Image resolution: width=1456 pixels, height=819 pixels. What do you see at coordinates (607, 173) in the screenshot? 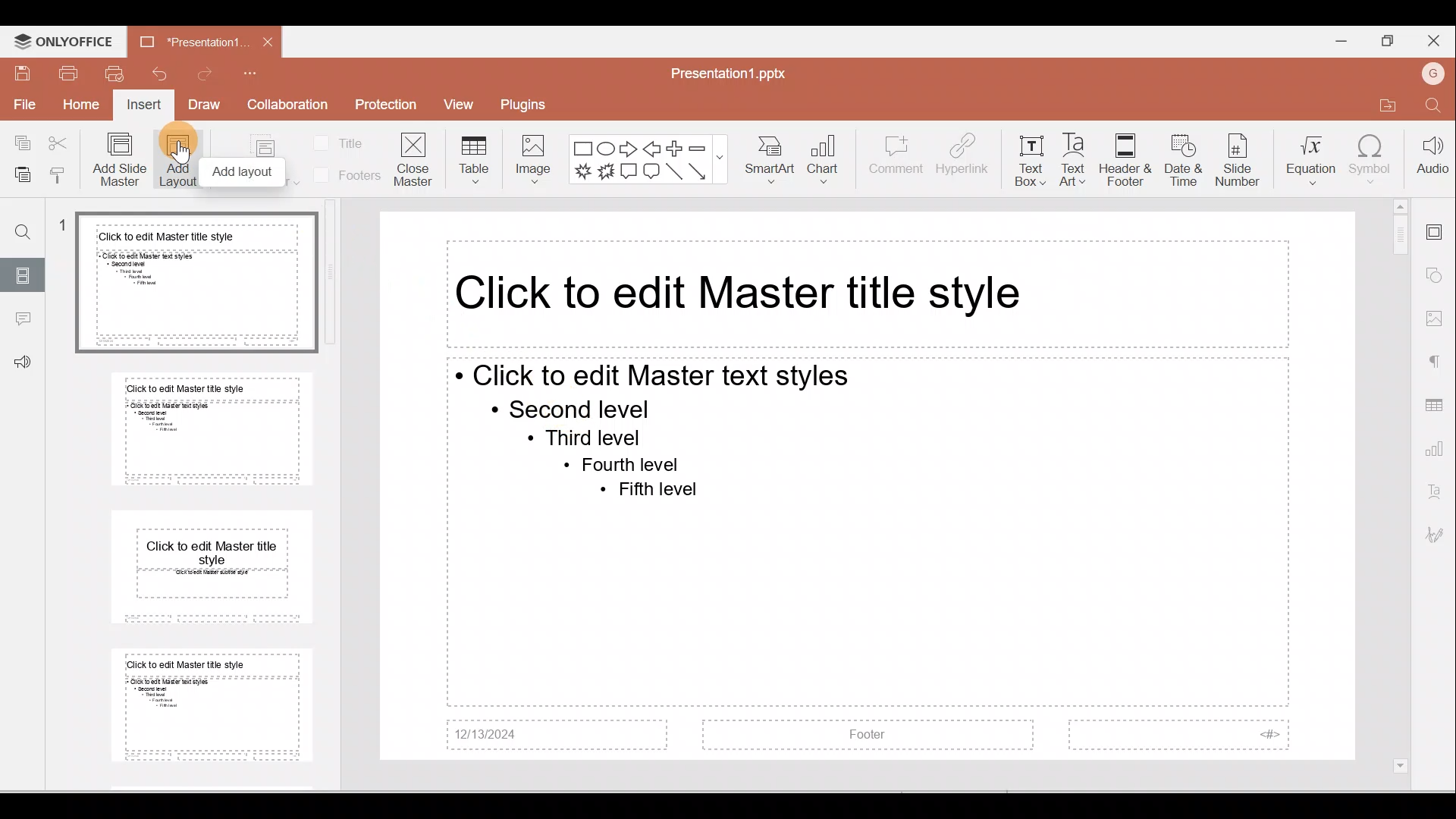
I see `Explosion 2` at bounding box center [607, 173].